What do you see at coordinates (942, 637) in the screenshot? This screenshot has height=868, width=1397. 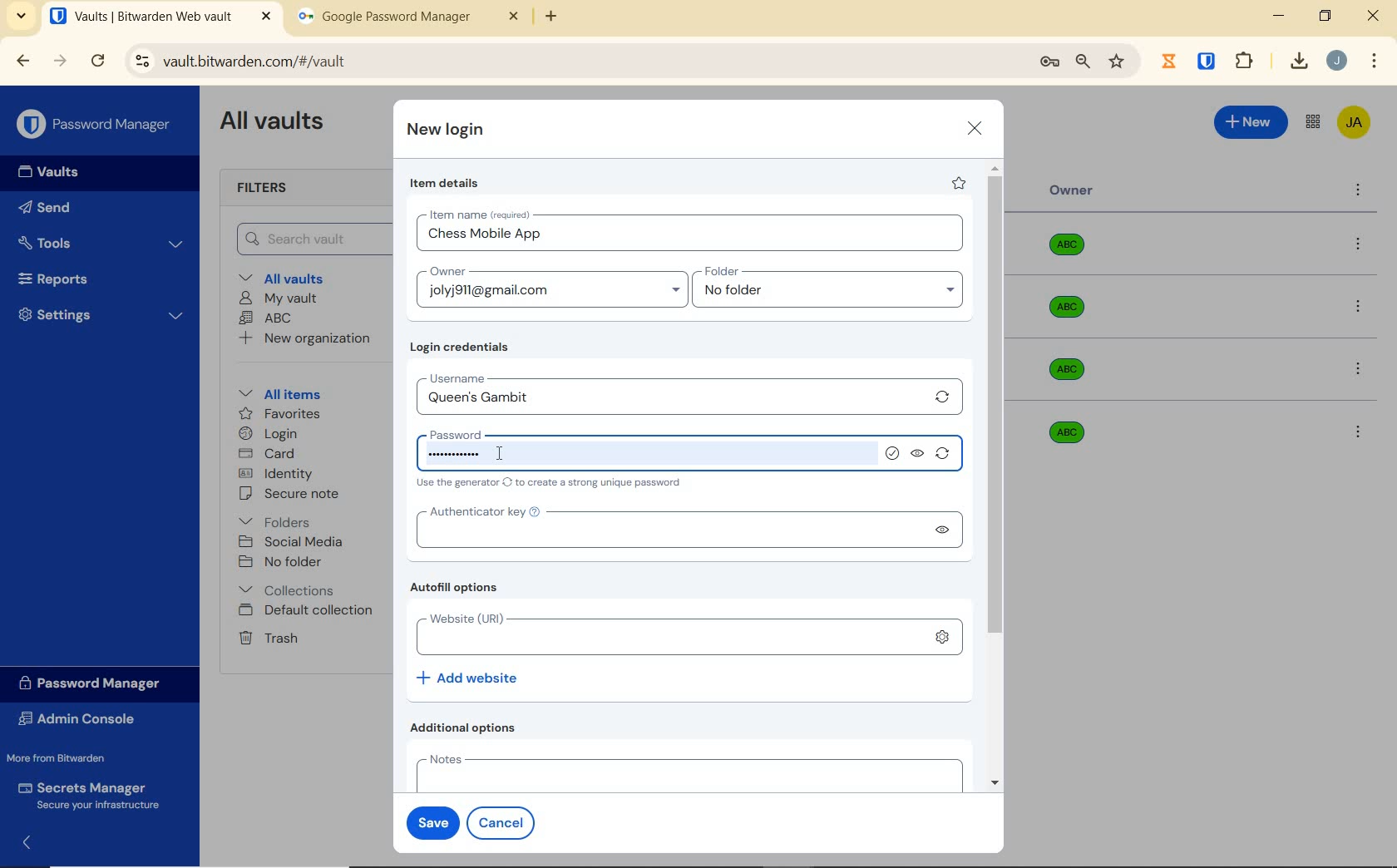 I see `link` at bounding box center [942, 637].